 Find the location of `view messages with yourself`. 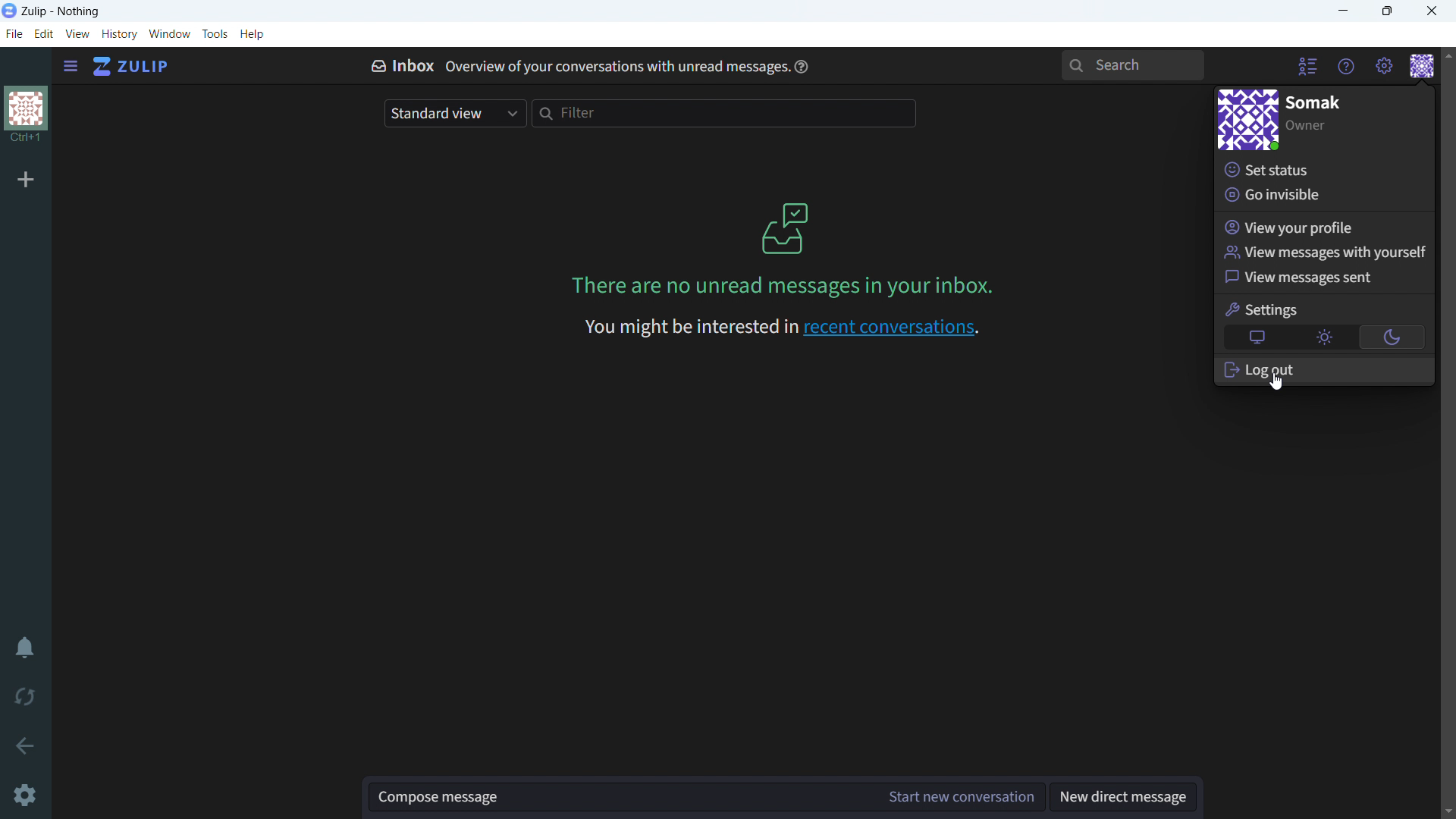

view messages with yourself is located at coordinates (1324, 253).